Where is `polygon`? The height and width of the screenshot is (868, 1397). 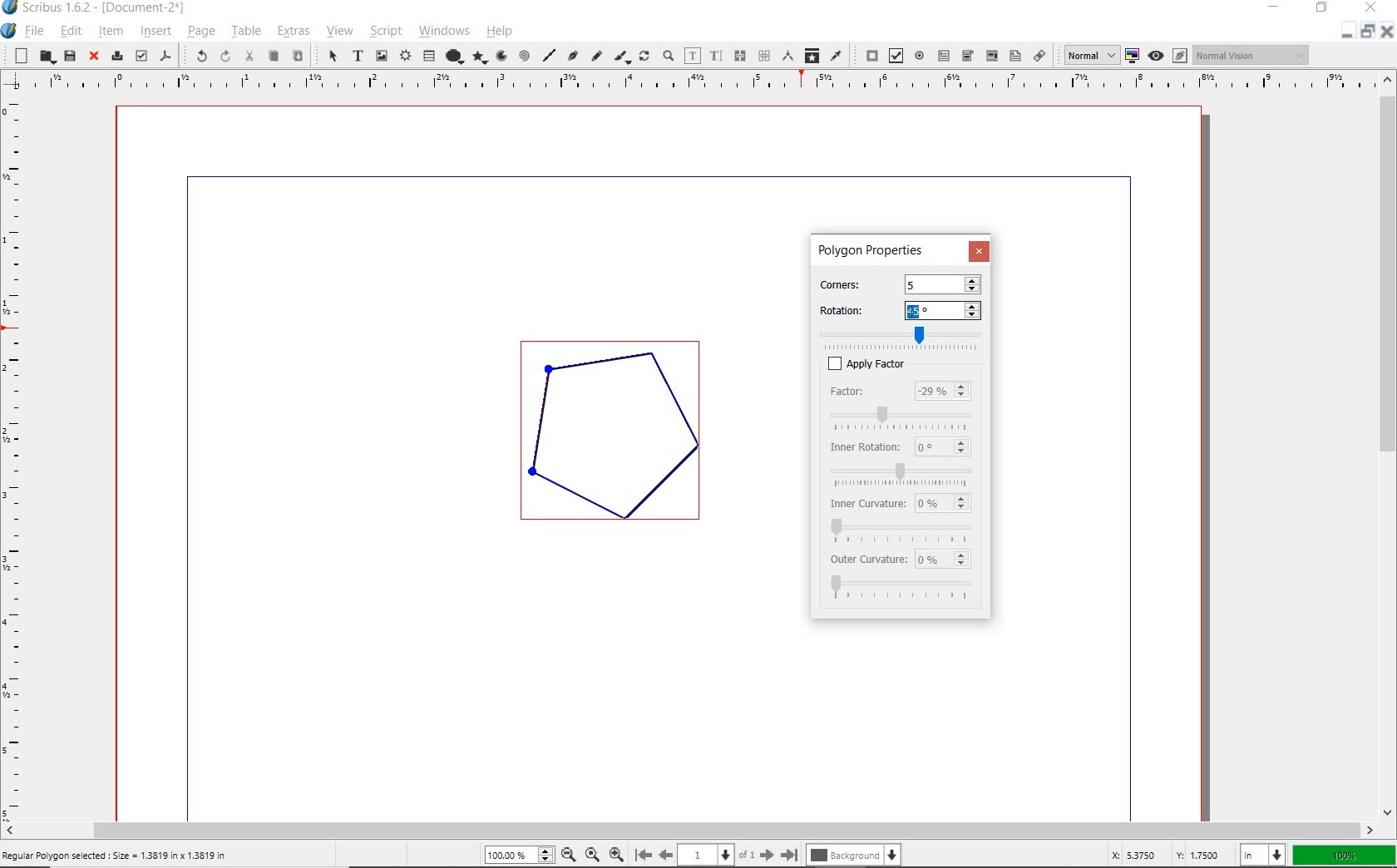
polygon is located at coordinates (481, 57).